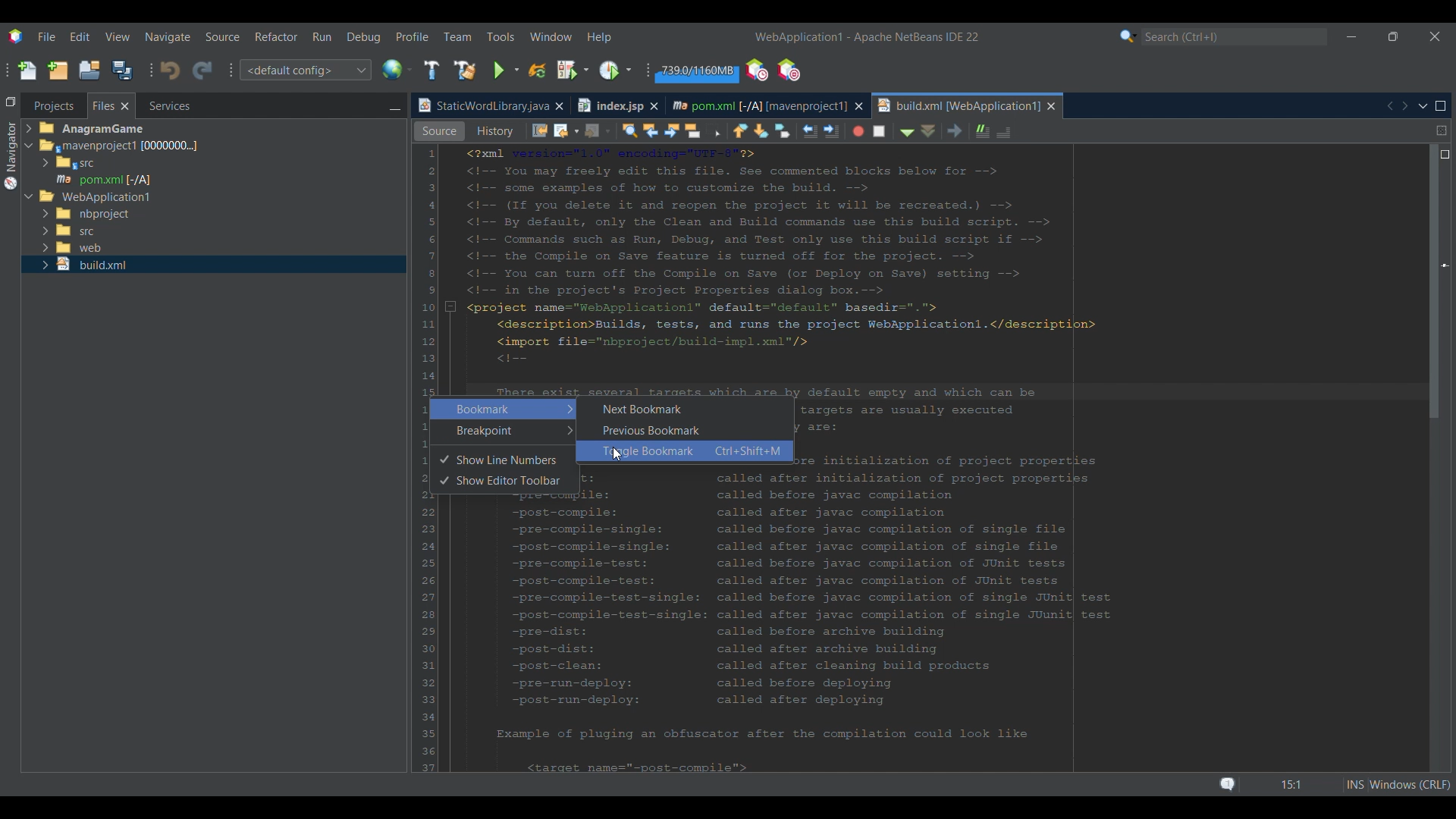  Describe the element at coordinates (305, 70) in the screenshot. I see `Configuration options` at that location.